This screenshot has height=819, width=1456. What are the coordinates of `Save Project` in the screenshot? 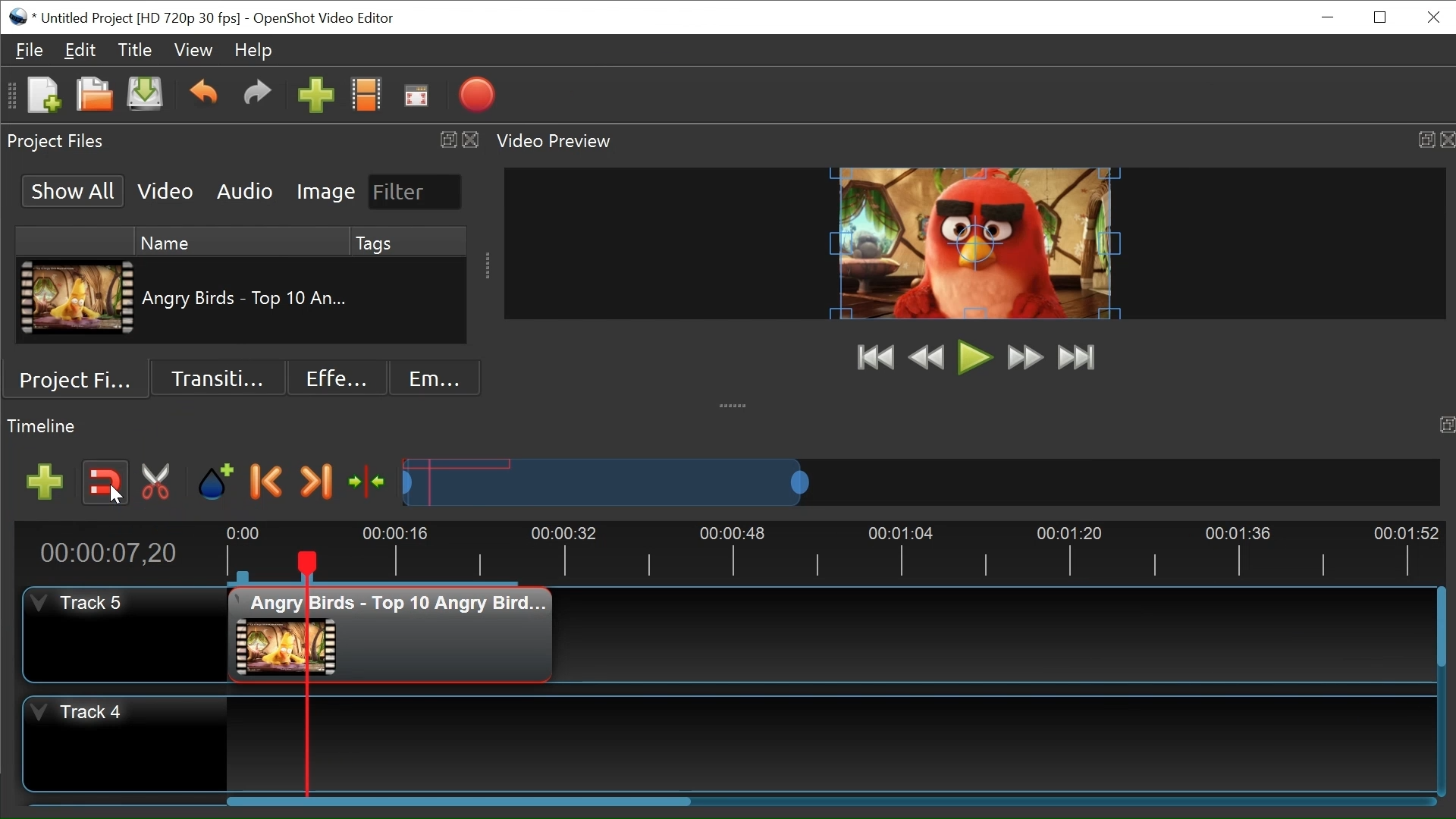 It's located at (144, 95).